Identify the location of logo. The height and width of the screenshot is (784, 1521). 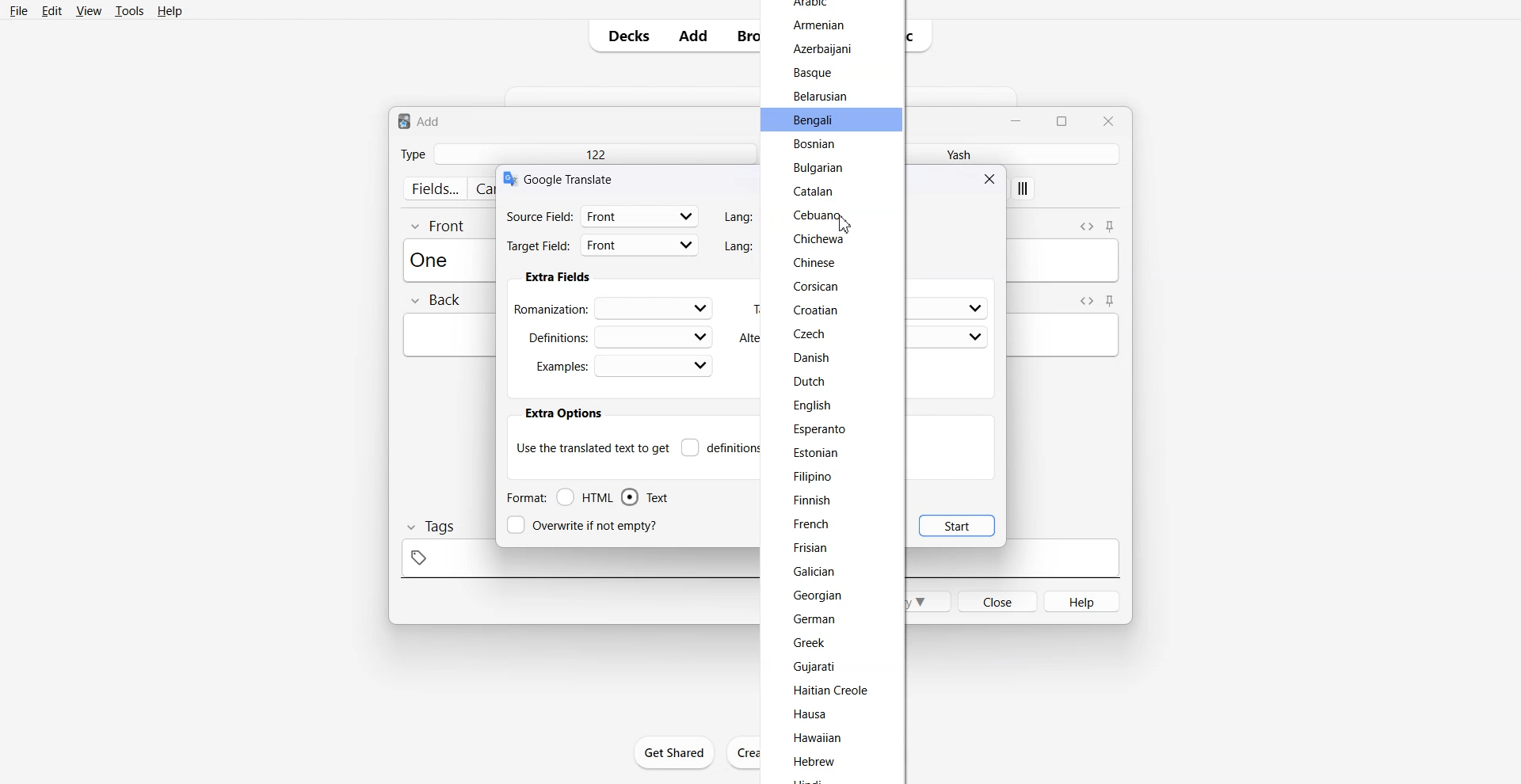
(509, 179).